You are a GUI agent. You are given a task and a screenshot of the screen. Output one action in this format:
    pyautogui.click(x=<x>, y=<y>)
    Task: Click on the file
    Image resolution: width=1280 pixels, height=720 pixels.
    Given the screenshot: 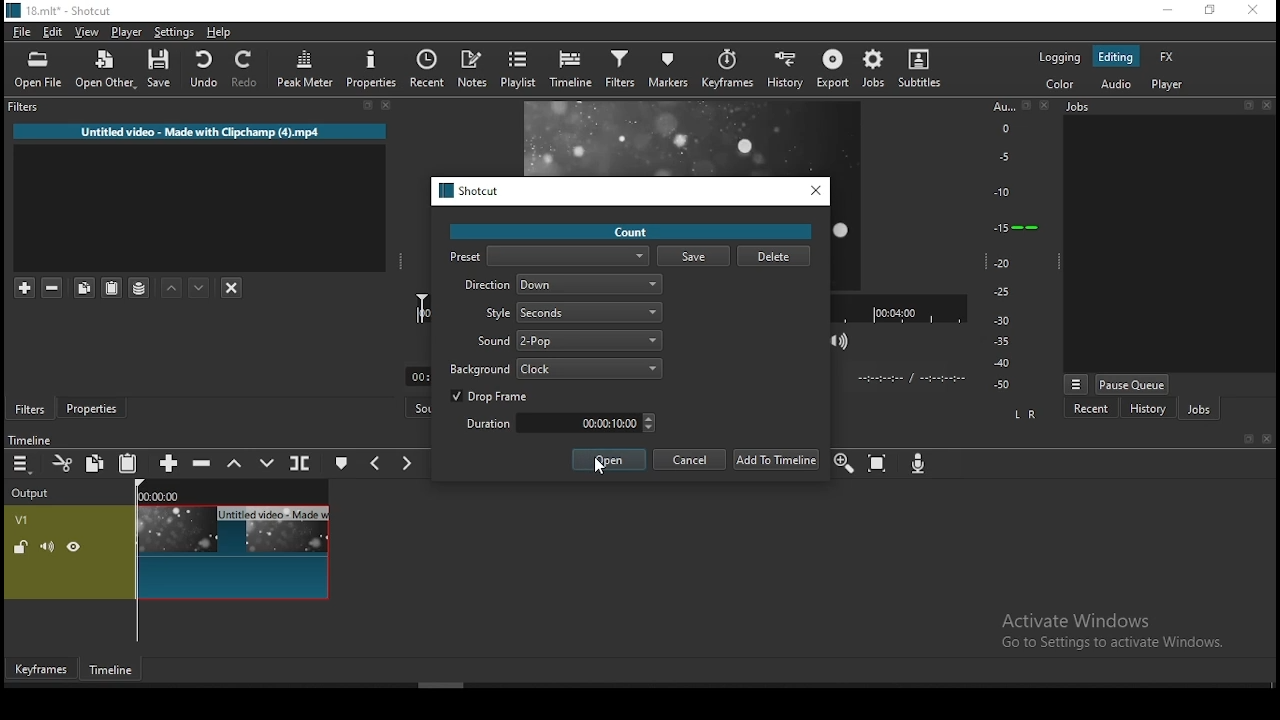 What is the action you would take?
    pyautogui.click(x=23, y=29)
    